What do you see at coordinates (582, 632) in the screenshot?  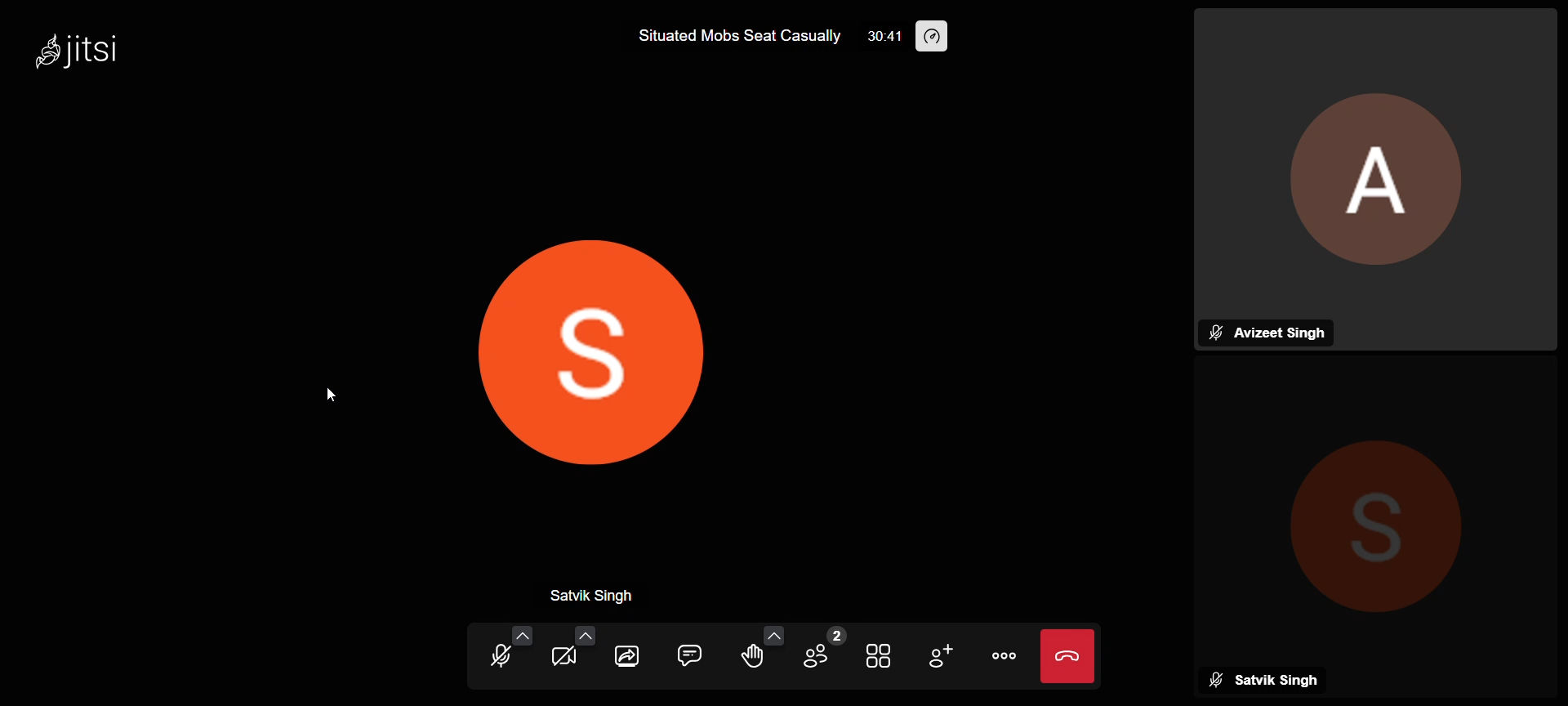 I see `video setting` at bounding box center [582, 632].